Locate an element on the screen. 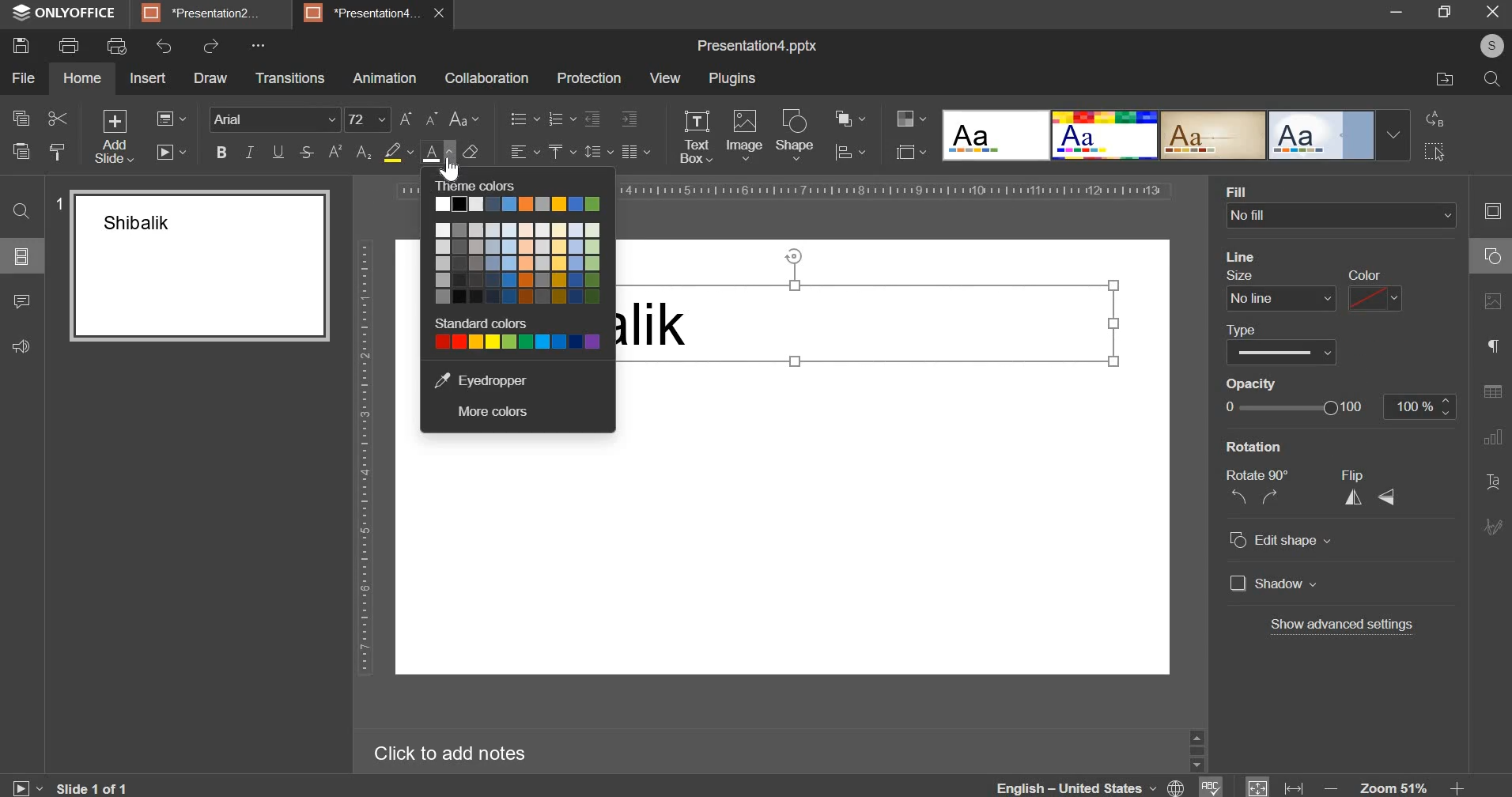 Image resolution: width=1512 pixels, height=797 pixels. Close is located at coordinates (1494, 13).